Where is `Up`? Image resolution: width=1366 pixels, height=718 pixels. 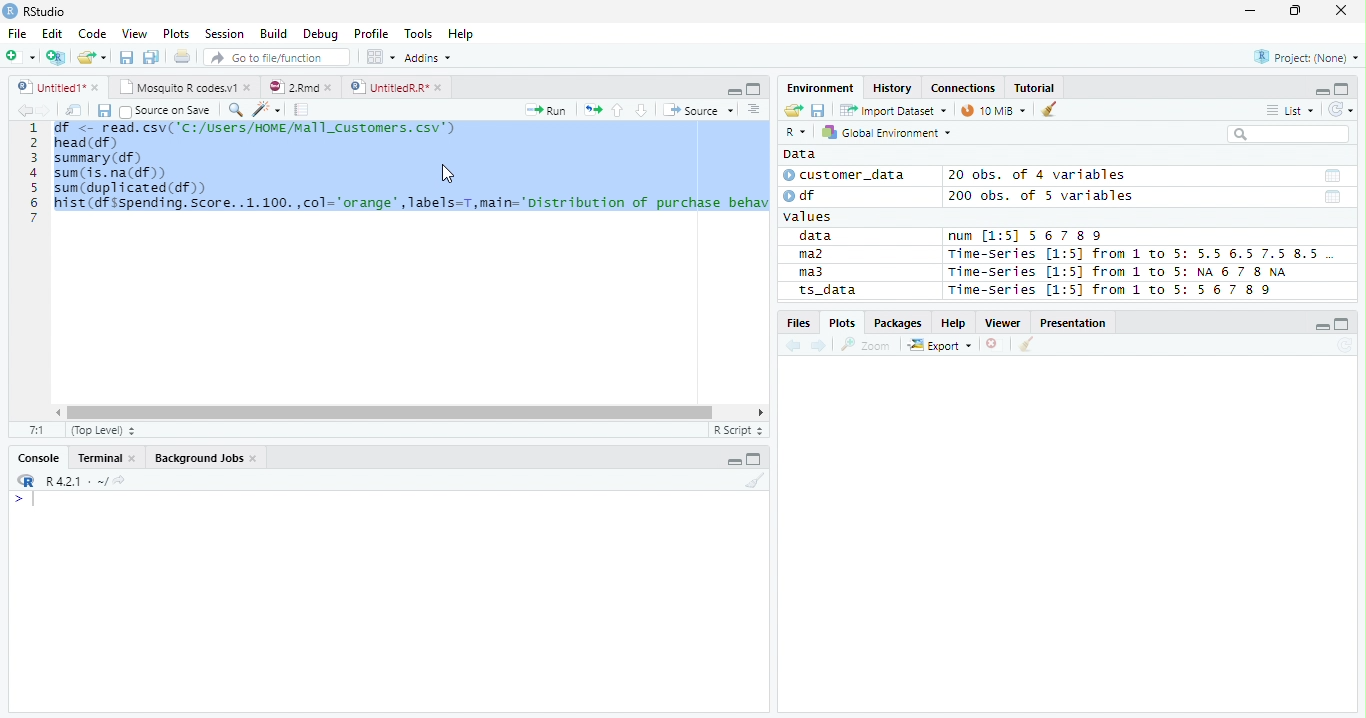 Up is located at coordinates (617, 111).